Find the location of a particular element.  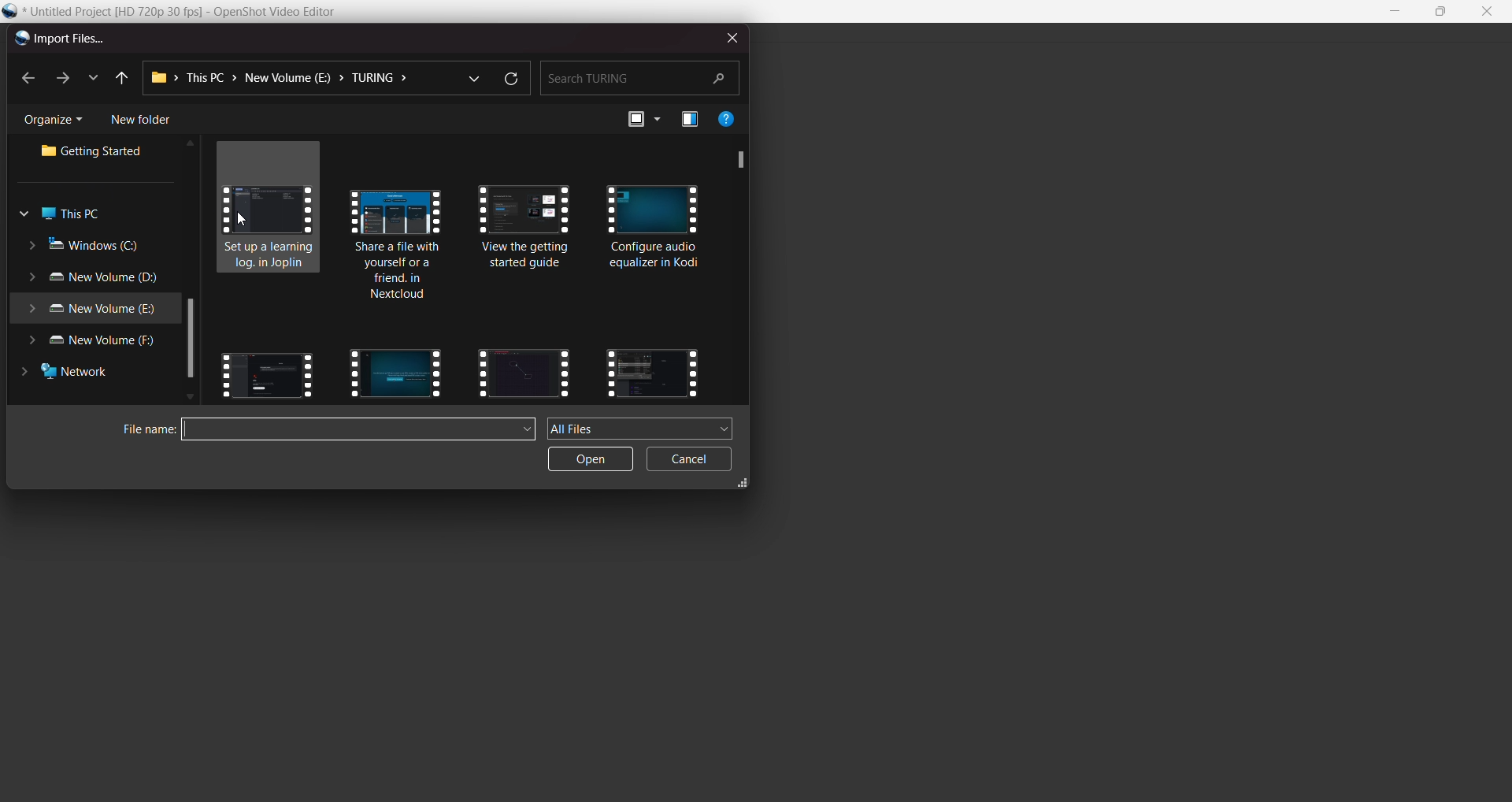

search is located at coordinates (639, 76).